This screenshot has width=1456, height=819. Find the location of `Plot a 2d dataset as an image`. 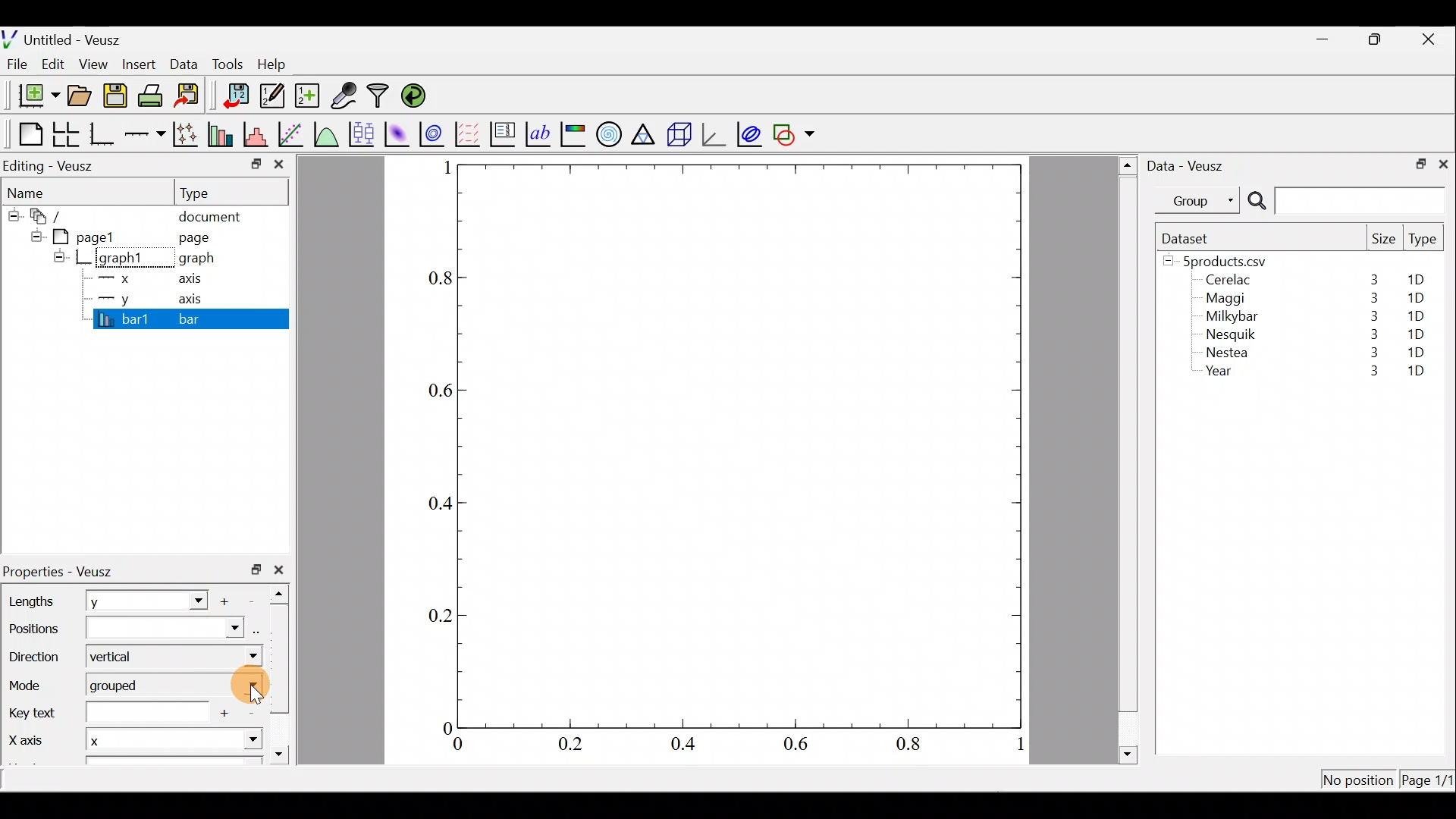

Plot a 2d dataset as an image is located at coordinates (399, 132).